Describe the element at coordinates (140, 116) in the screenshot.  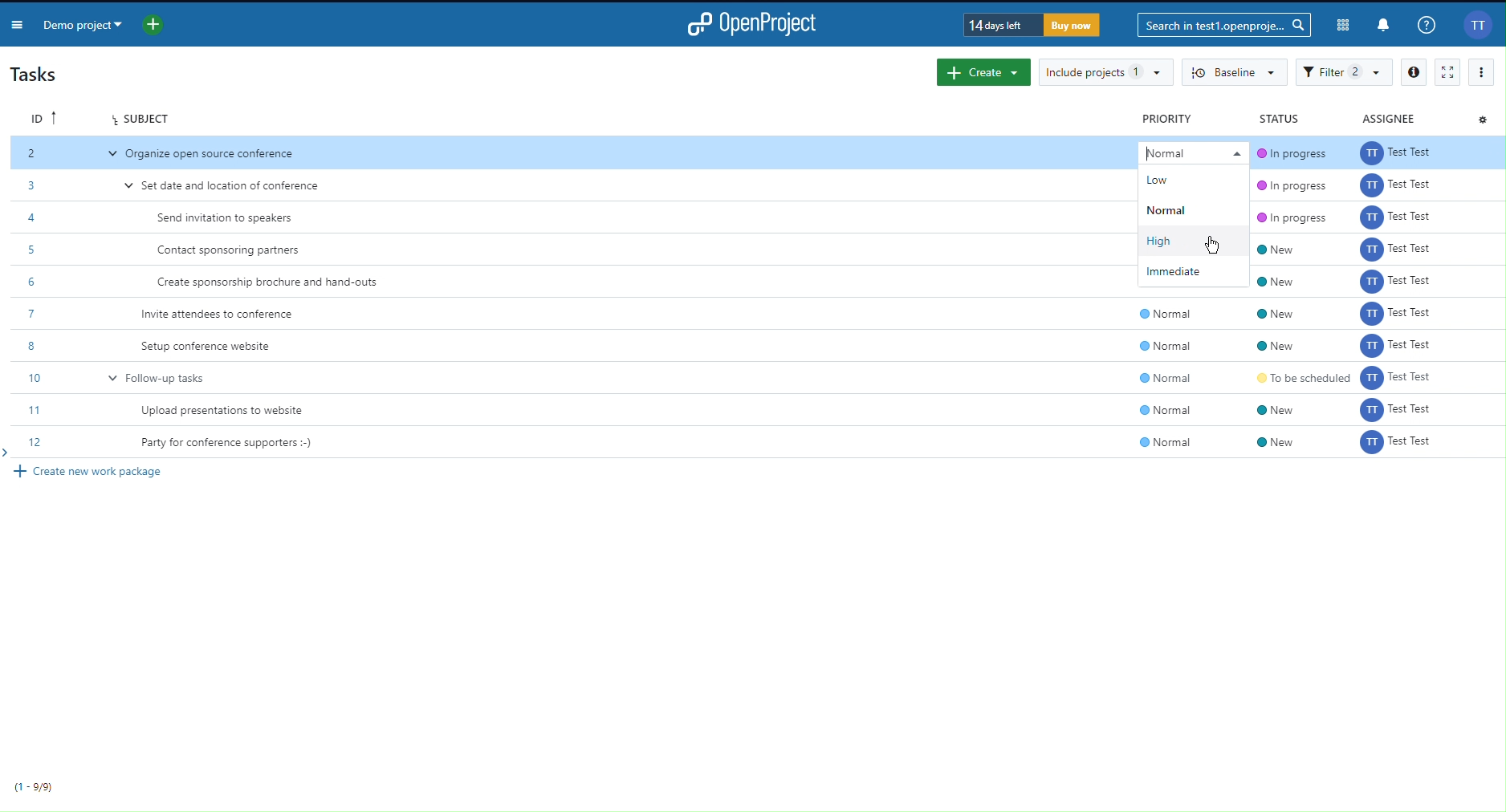
I see `Subject` at that location.